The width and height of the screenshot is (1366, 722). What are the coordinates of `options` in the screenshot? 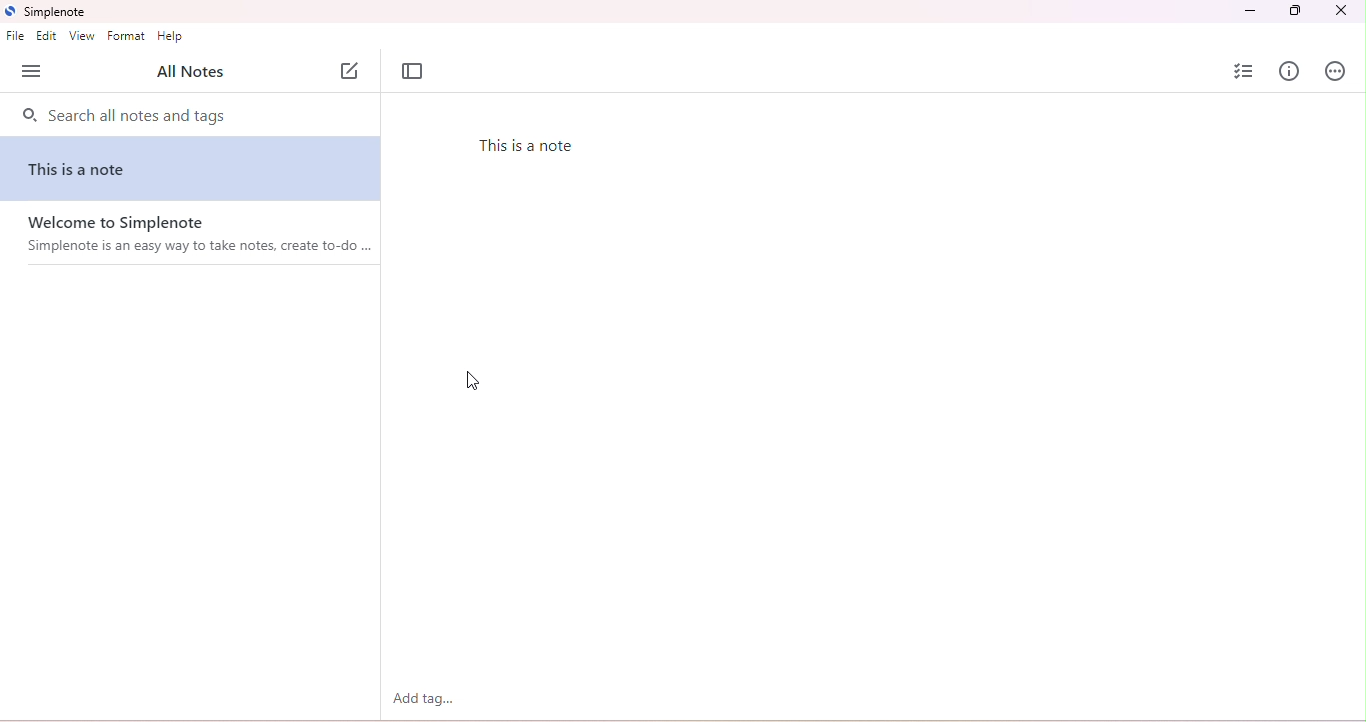 It's located at (1335, 71).